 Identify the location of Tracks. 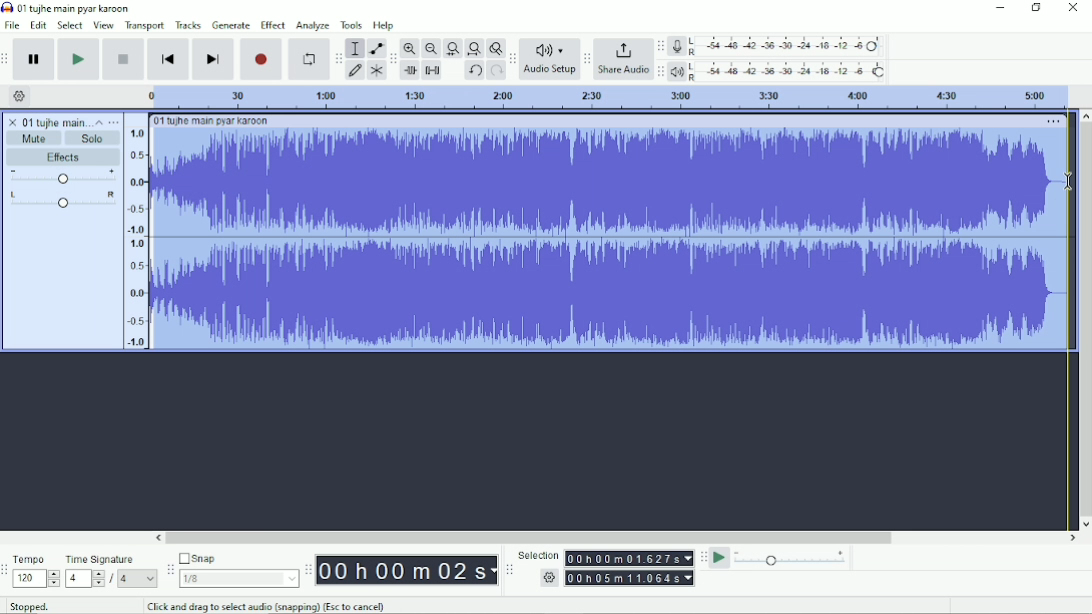
(188, 25).